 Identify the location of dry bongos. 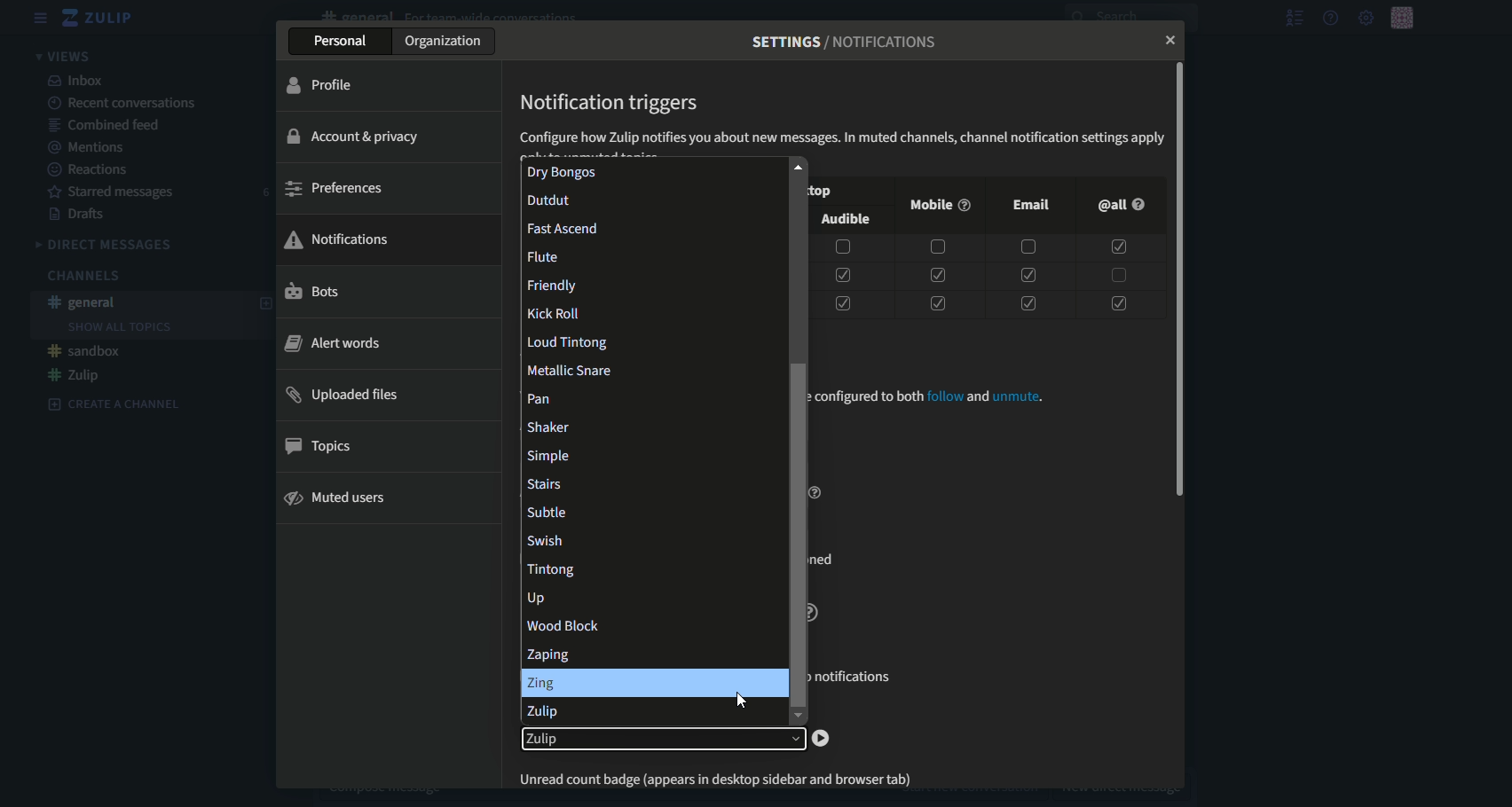
(646, 172).